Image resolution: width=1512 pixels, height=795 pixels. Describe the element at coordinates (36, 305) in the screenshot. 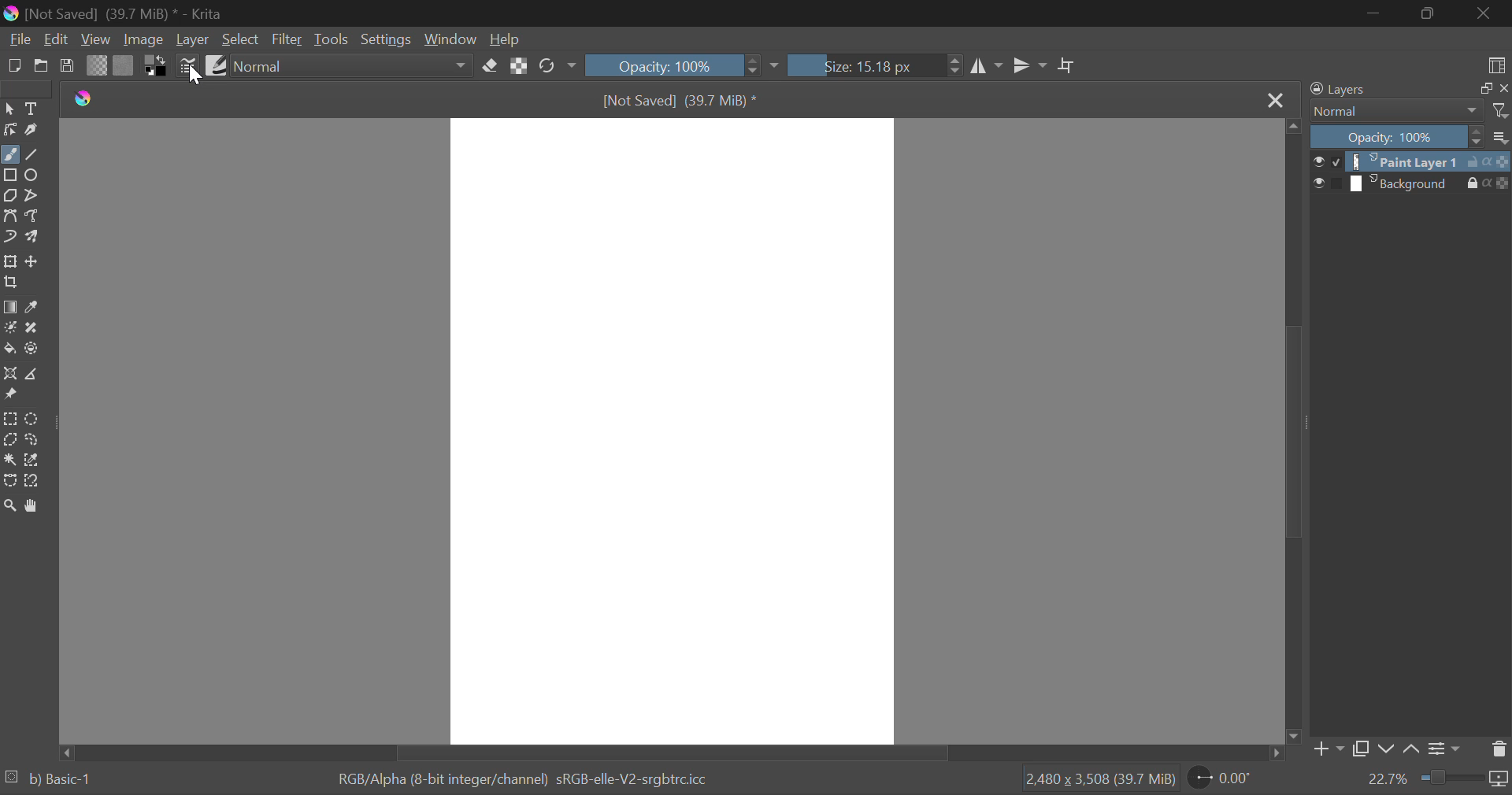

I see `Eyedropper` at that location.